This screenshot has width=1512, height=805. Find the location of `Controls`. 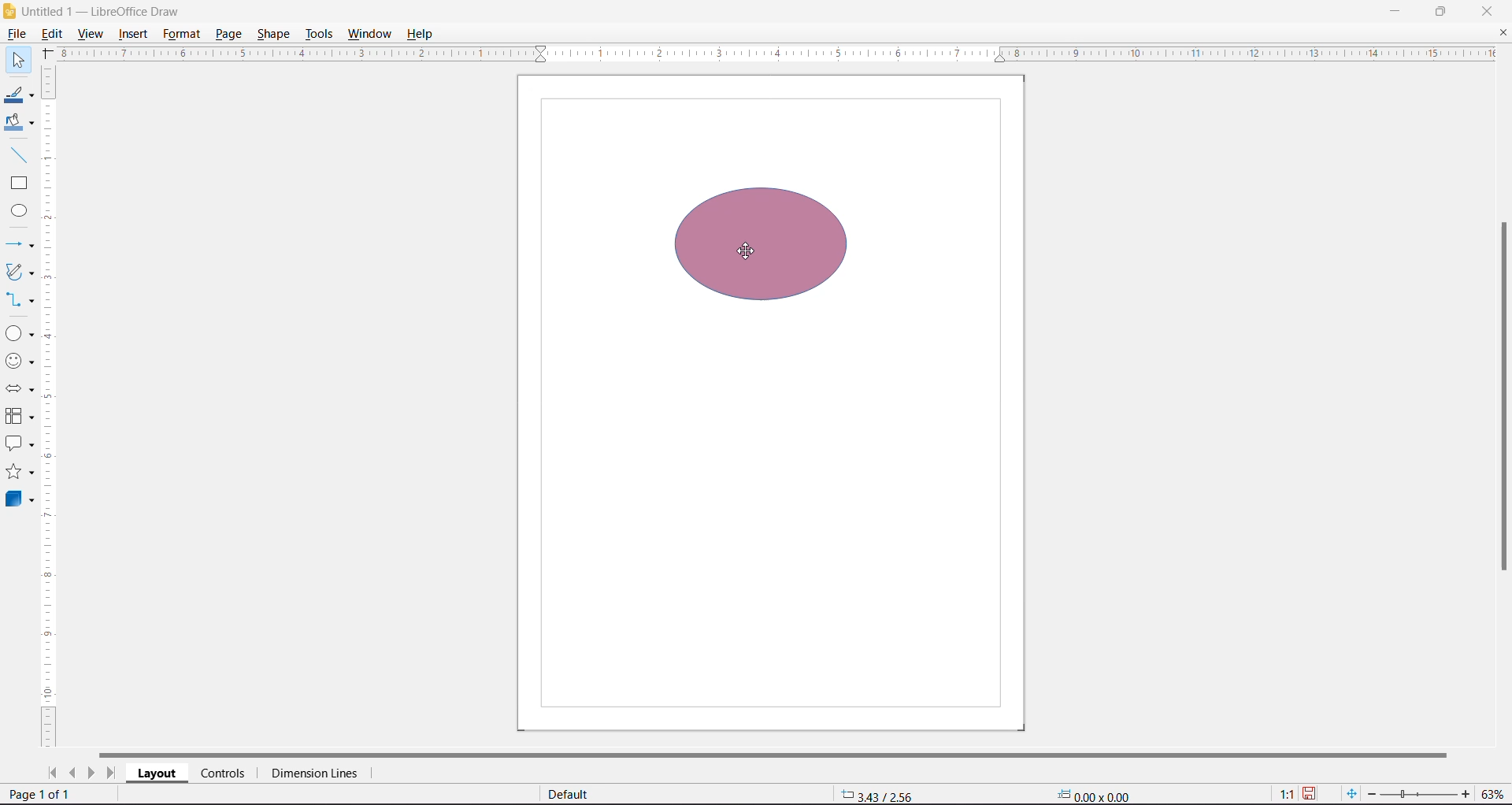

Controls is located at coordinates (226, 773).